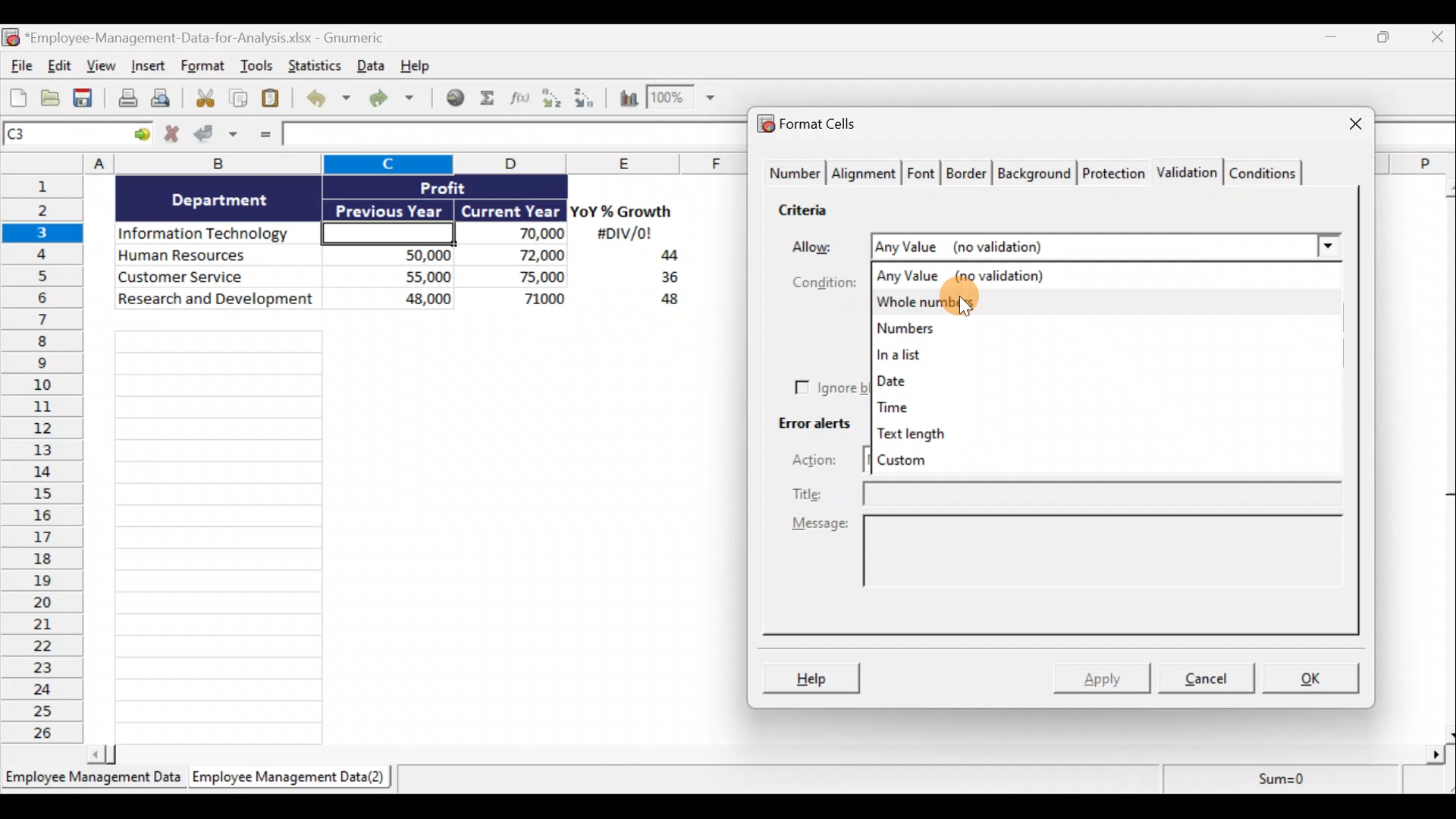 This screenshot has height=819, width=1456. I want to click on 48,000, so click(397, 301).